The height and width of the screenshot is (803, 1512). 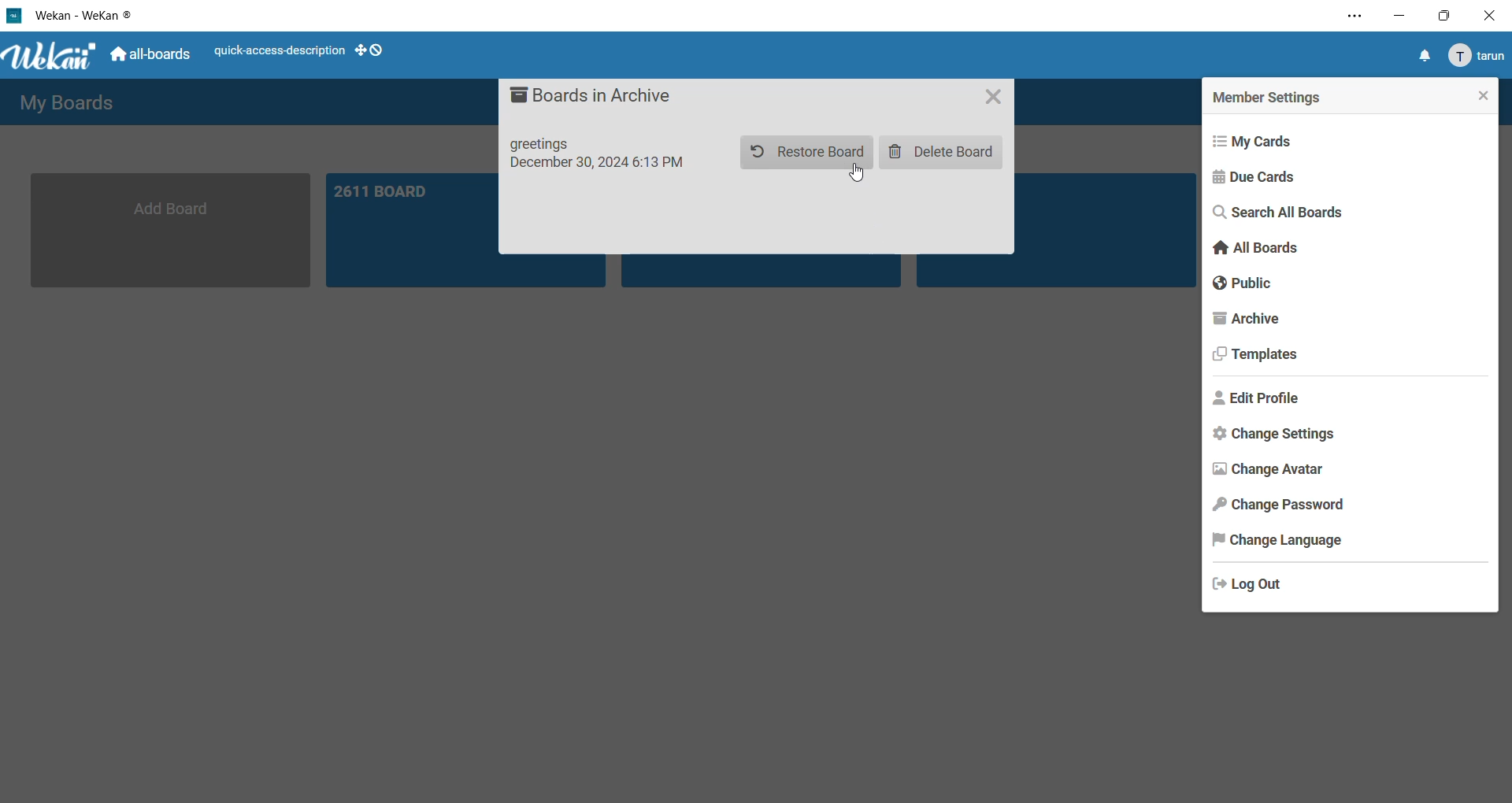 I want to click on notifications , so click(x=1423, y=57).